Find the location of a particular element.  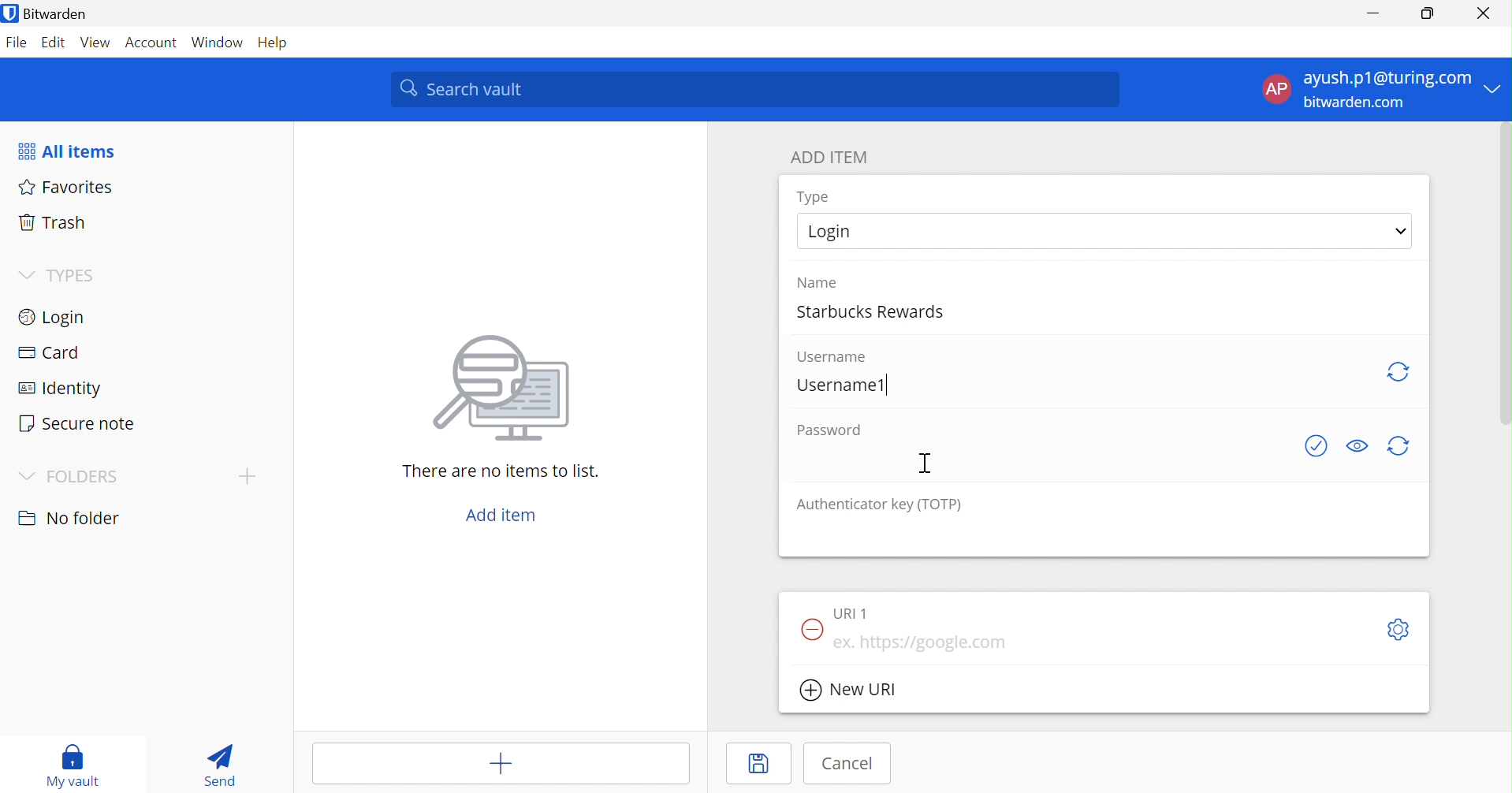

Favorites is located at coordinates (67, 188).